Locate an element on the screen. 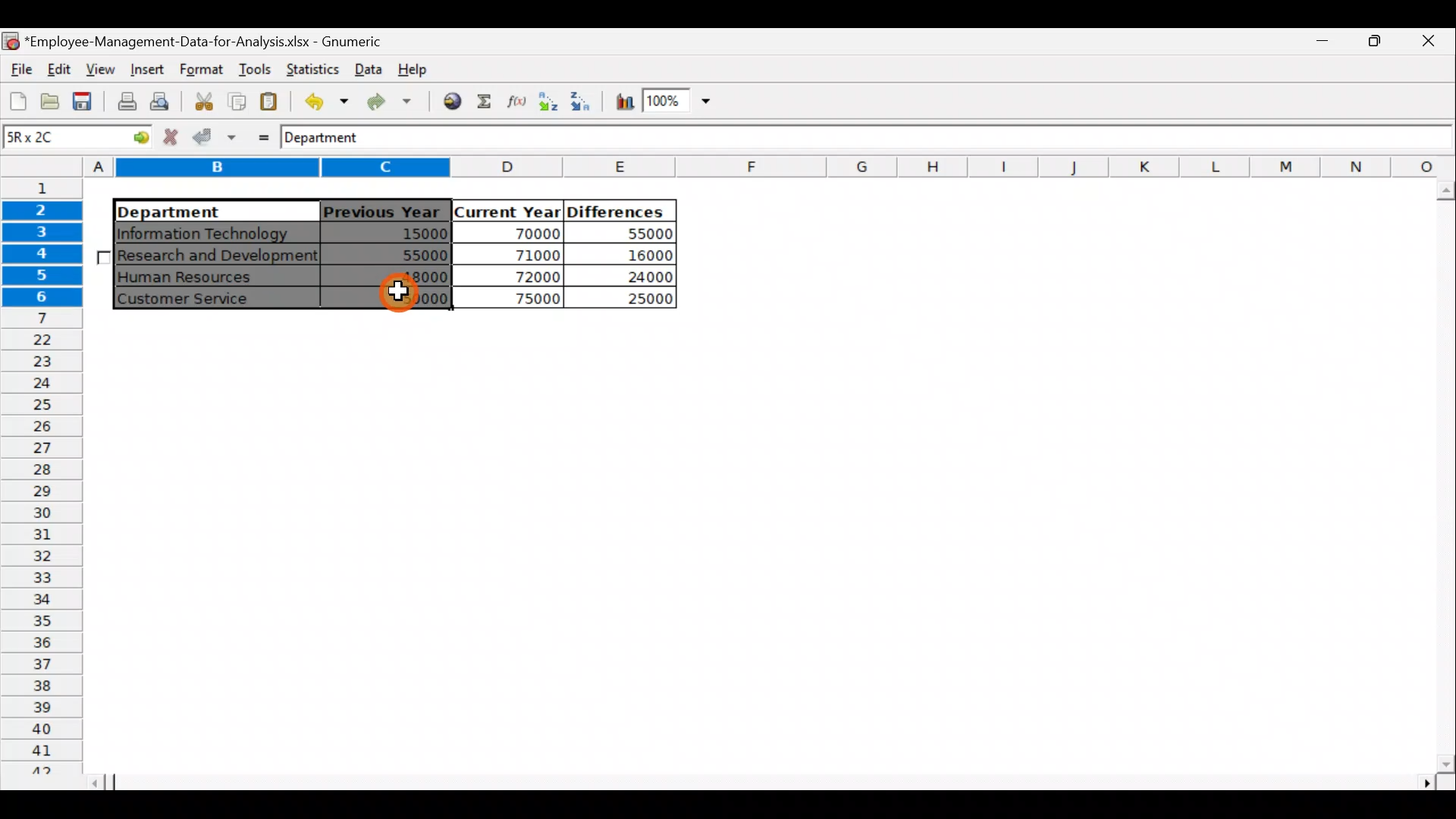 The image size is (1456, 819). 70000 is located at coordinates (523, 233).